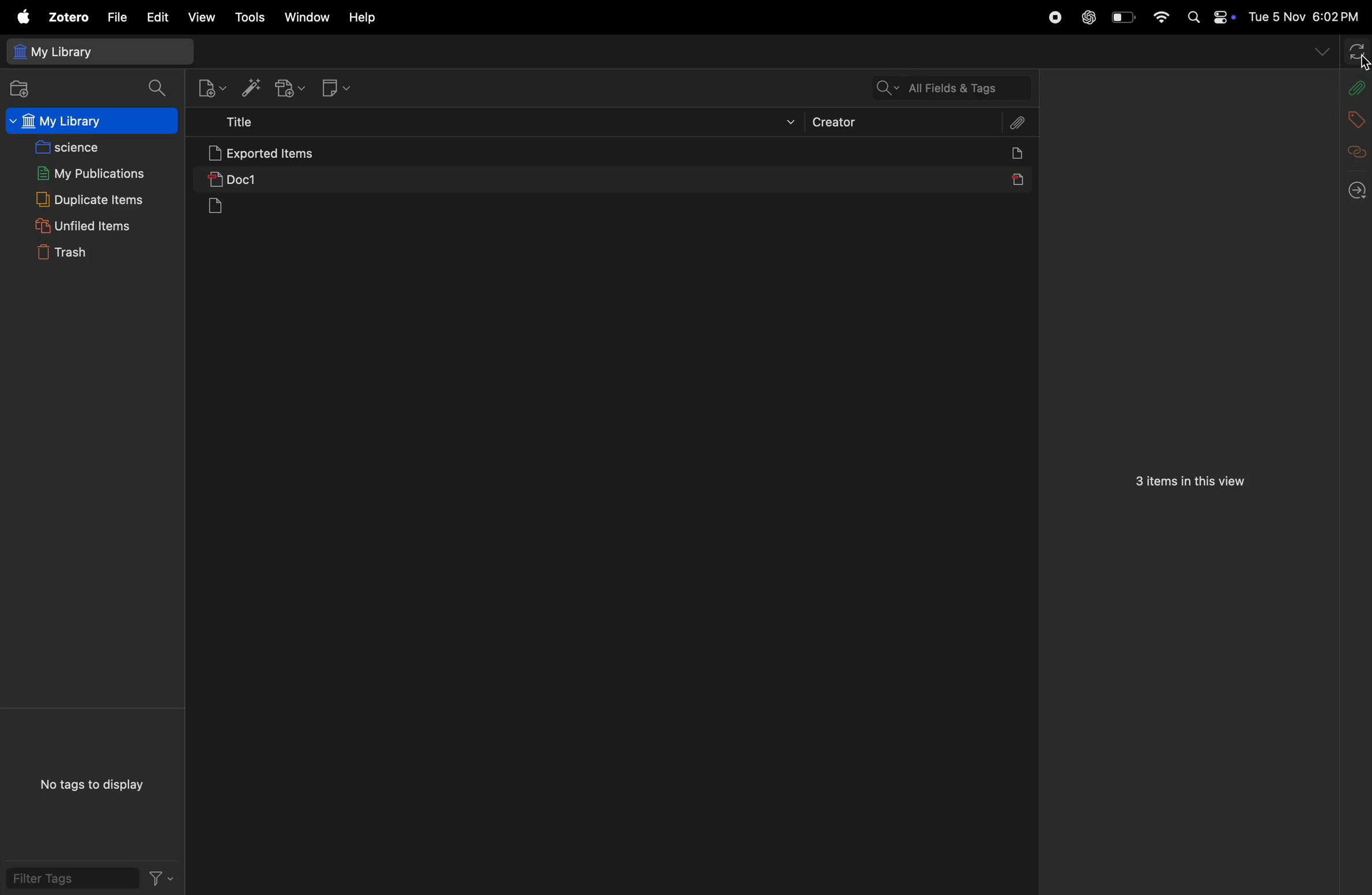  Describe the element at coordinates (1208, 17) in the screenshot. I see `aplle widgets` at that location.